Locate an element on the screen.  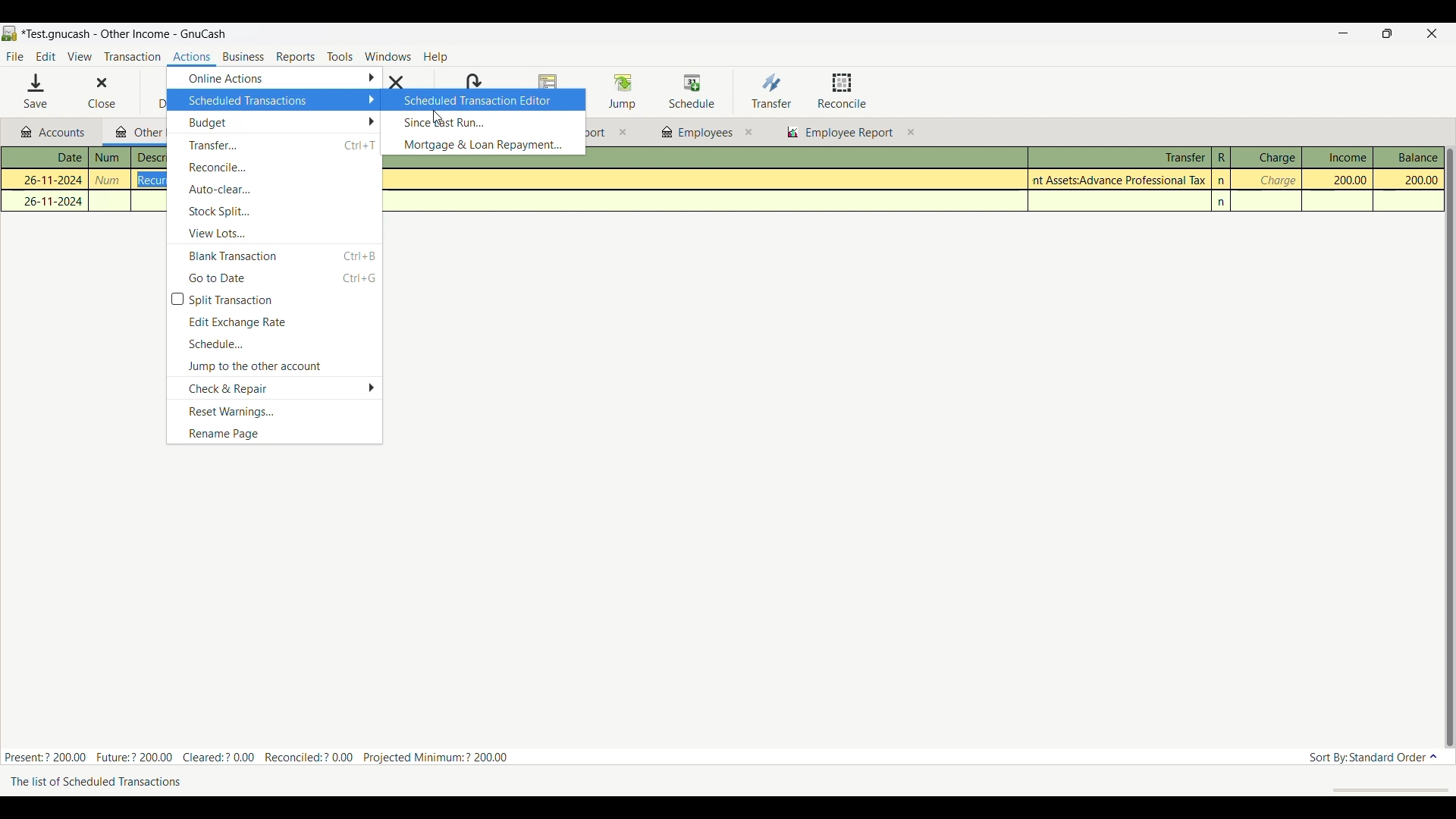
Reconcile is located at coordinates (843, 90).